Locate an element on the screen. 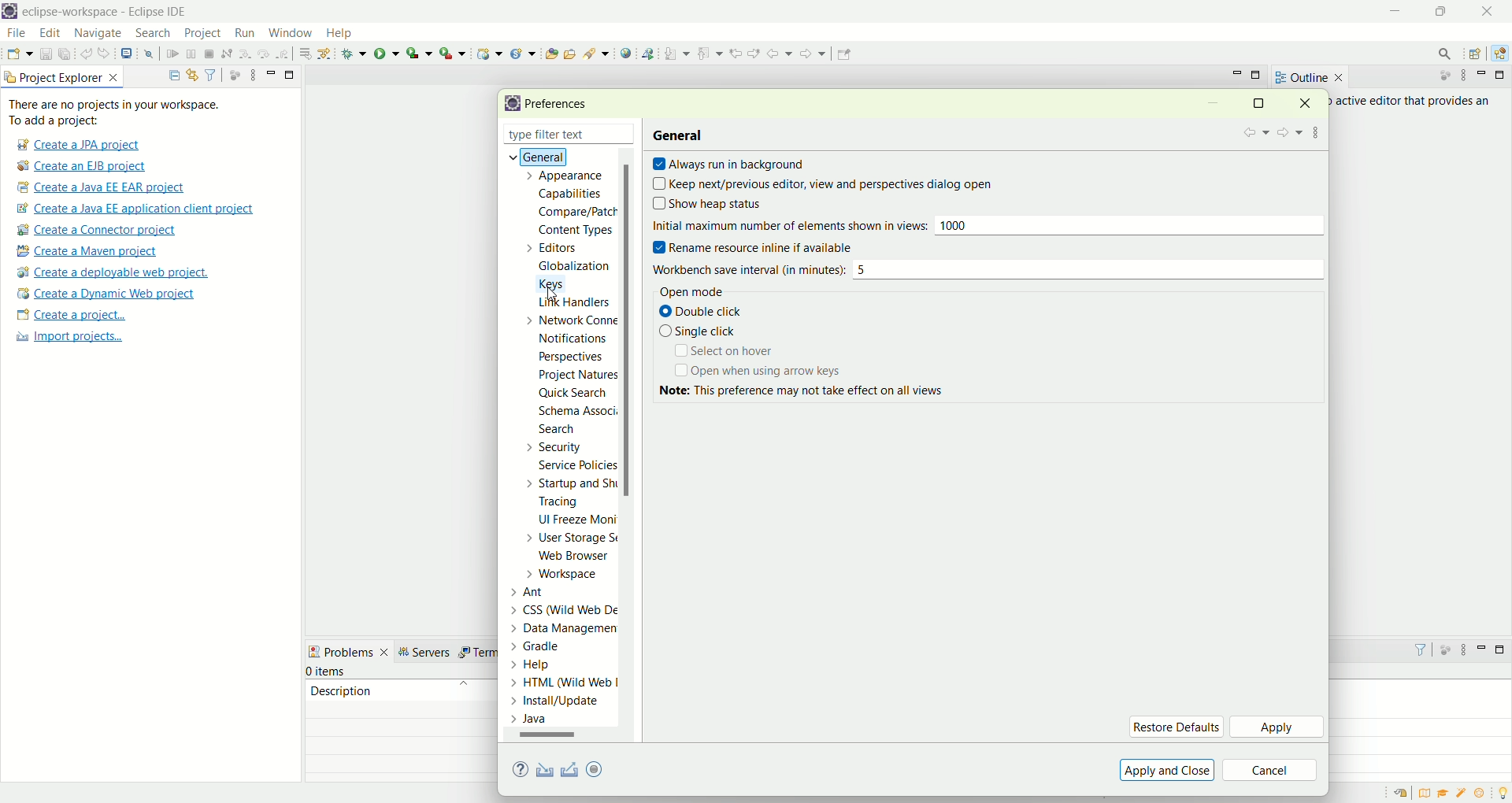 The image size is (1512, 803).  active editor that provides an outline is located at coordinates (1414, 102).